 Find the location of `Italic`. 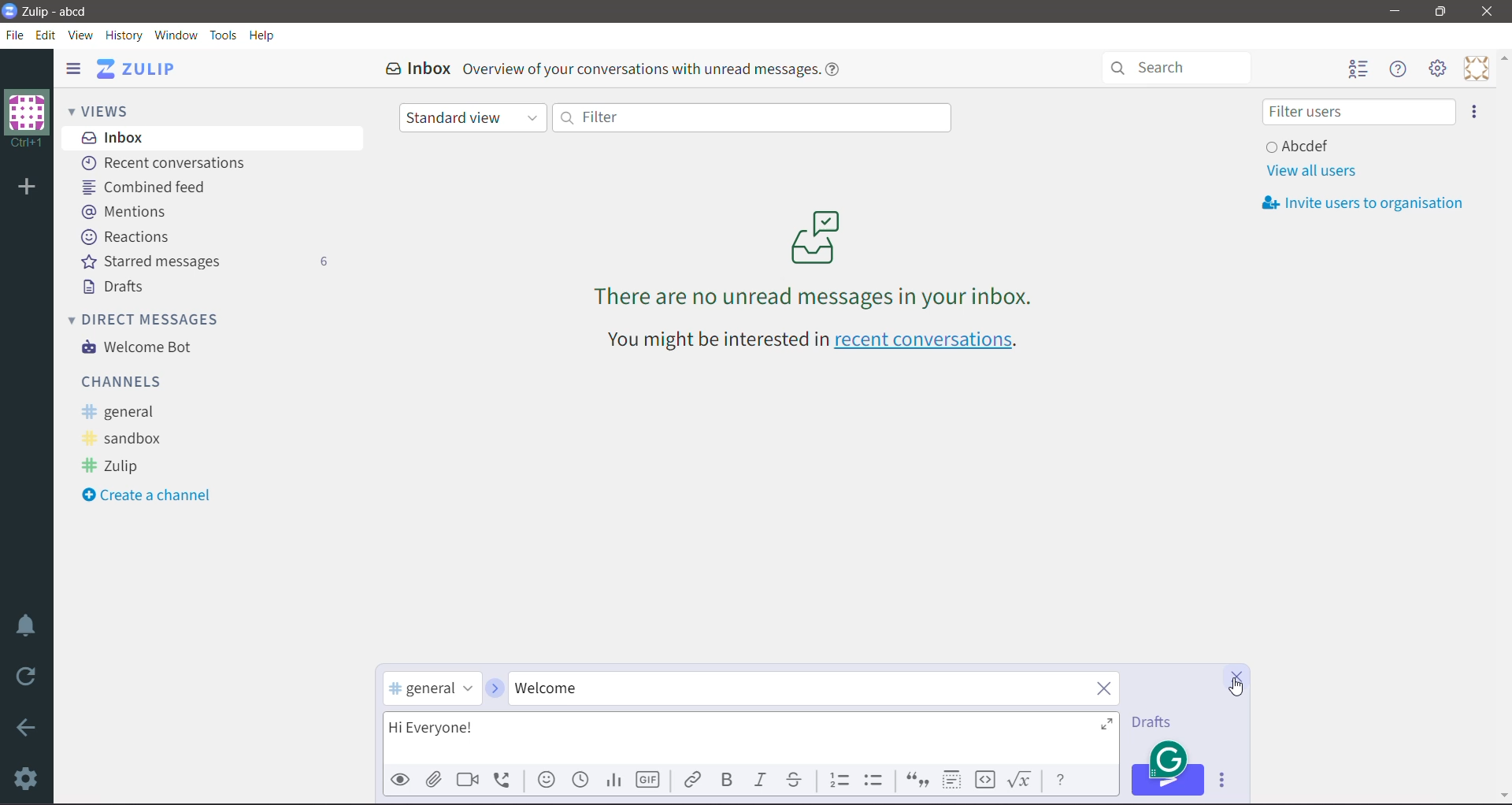

Italic is located at coordinates (759, 780).